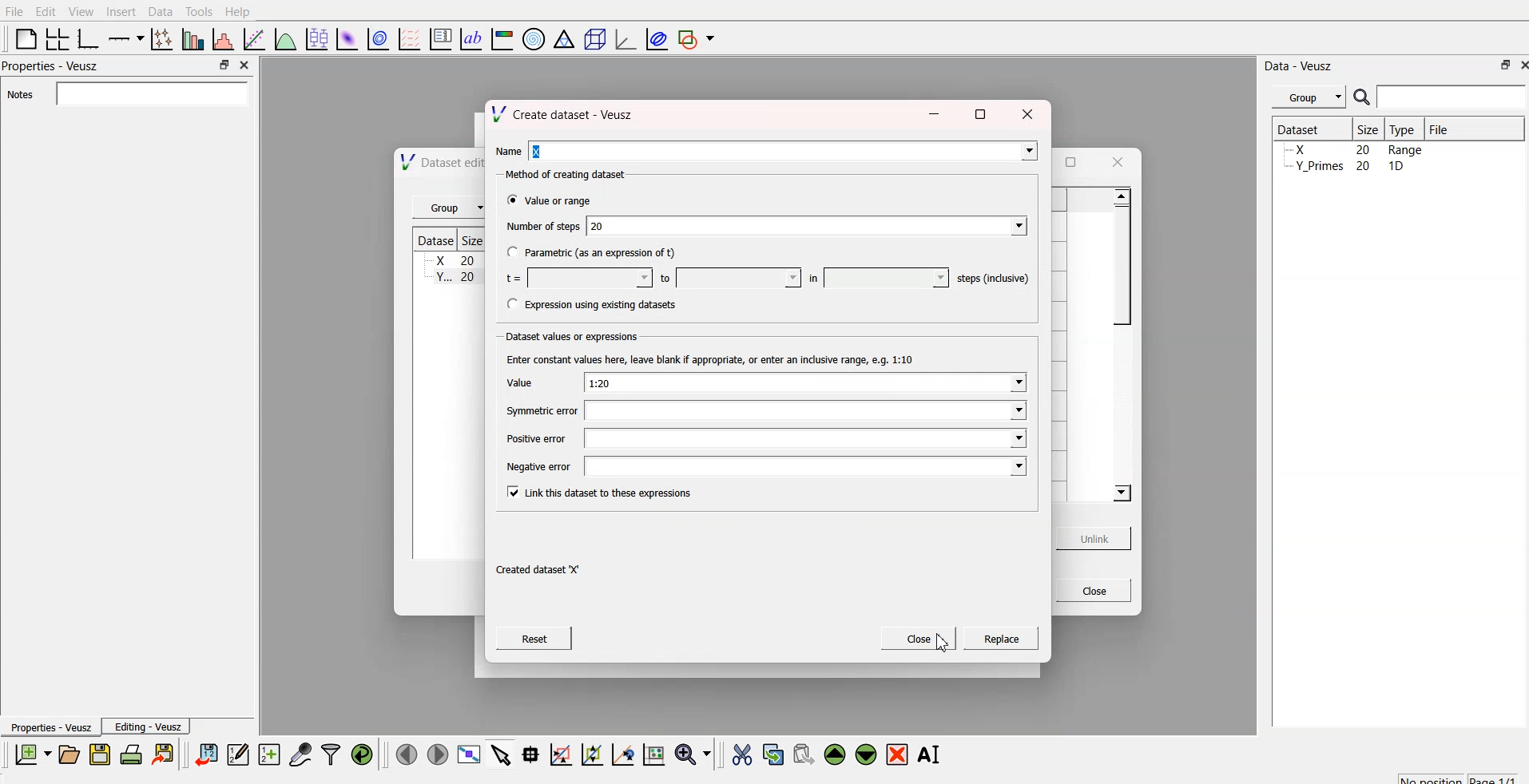 Image resolution: width=1529 pixels, height=784 pixels. What do you see at coordinates (252, 38) in the screenshot?
I see `fit function to data` at bounding box center [252, 38].